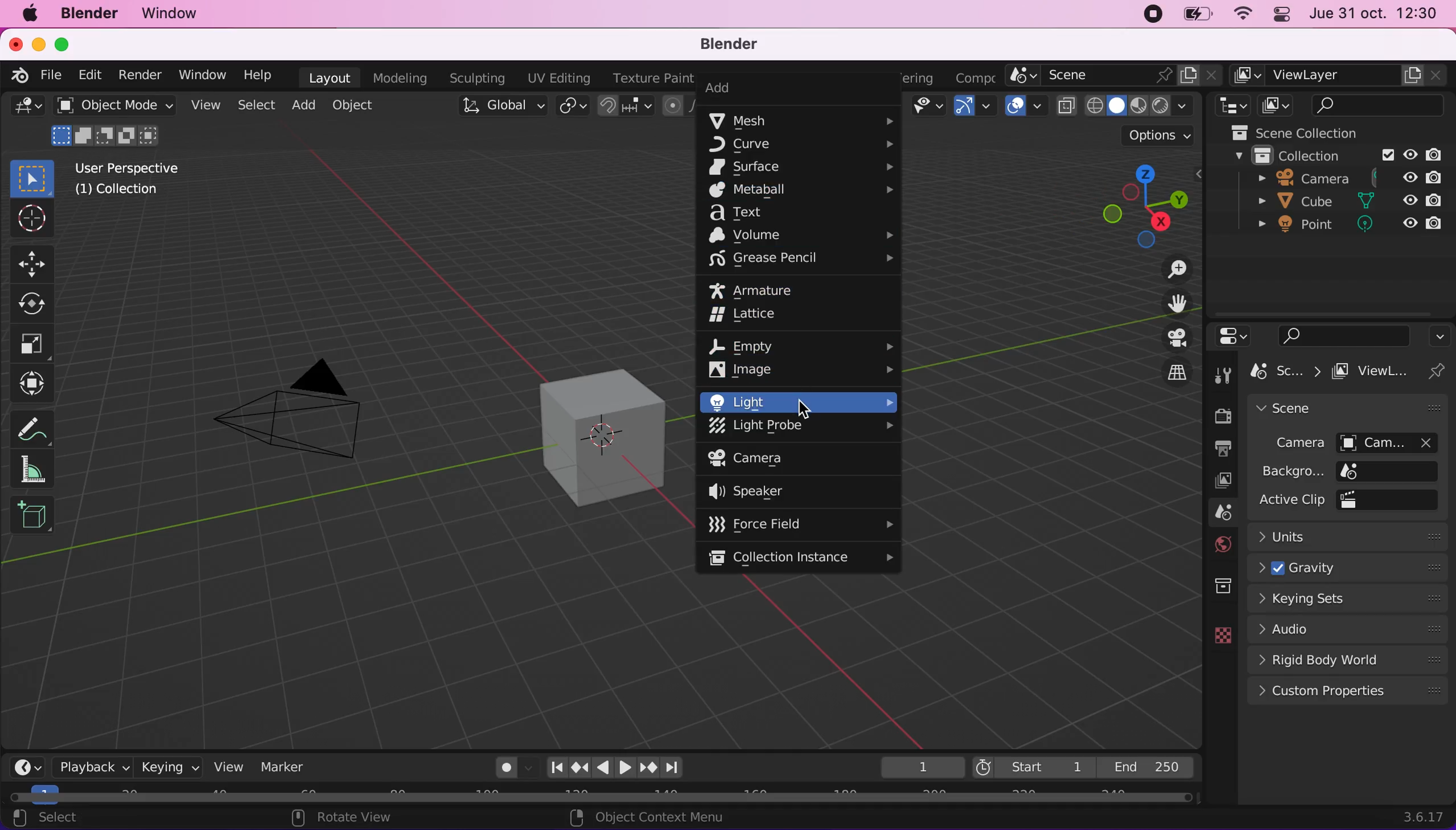 The height and width of the screenshot is (830, 1456). I want to click on editor type, so click(26, 109).